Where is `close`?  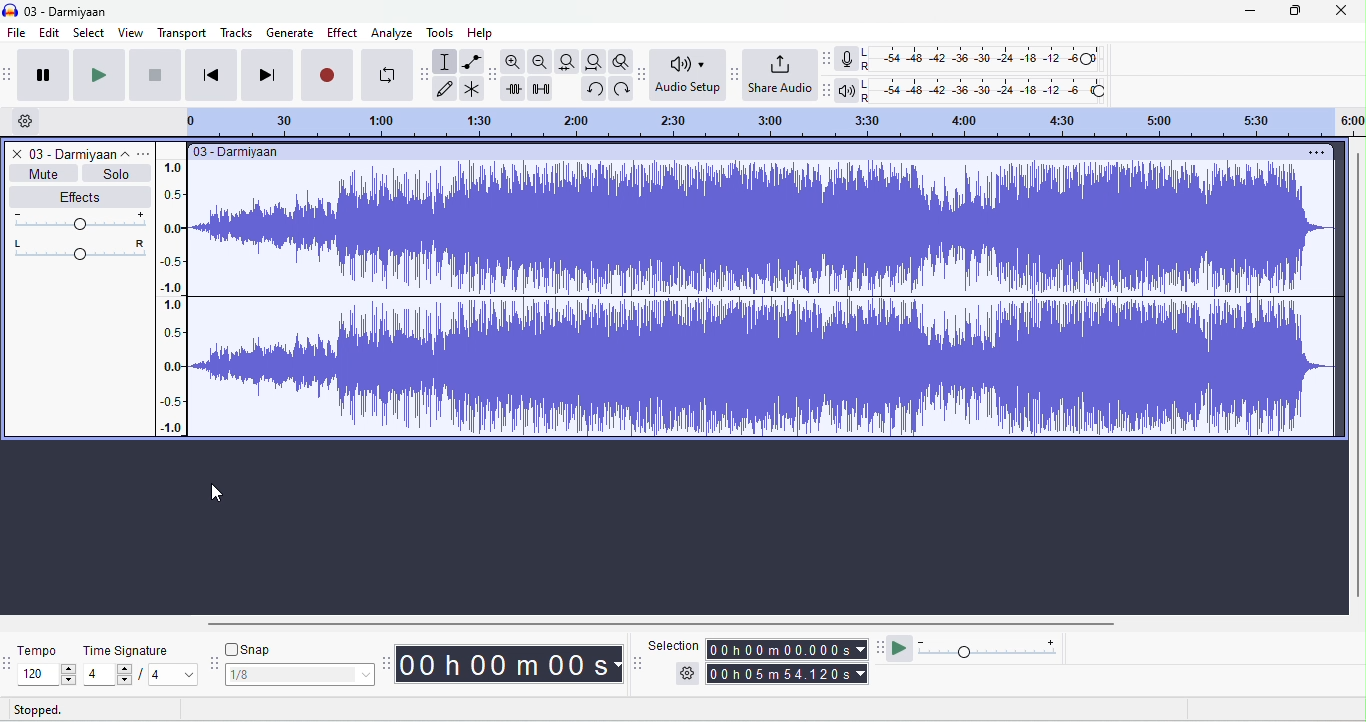 close is located at coordinates (15, 153).